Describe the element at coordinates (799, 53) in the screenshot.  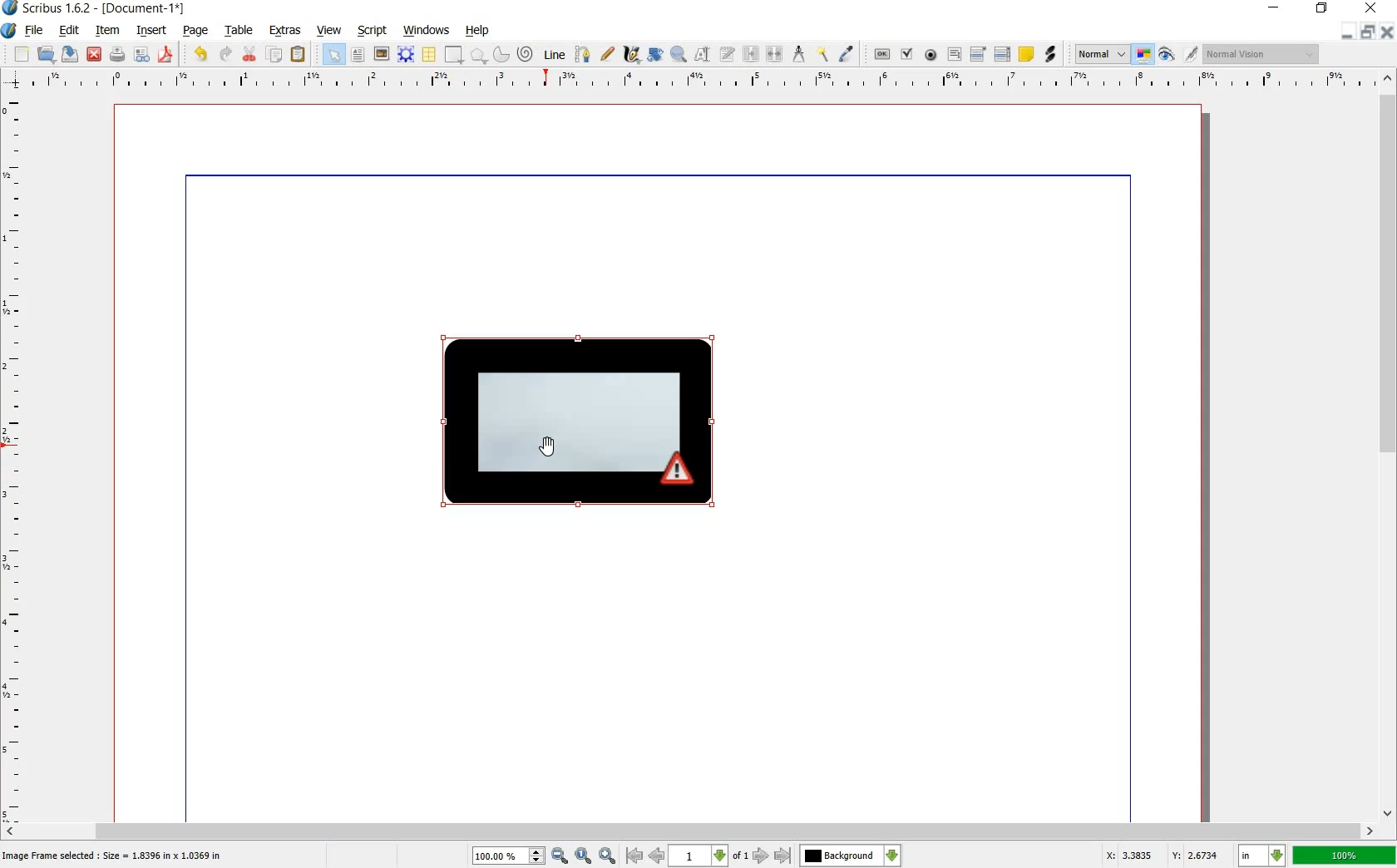
I see `measurements` at that location.